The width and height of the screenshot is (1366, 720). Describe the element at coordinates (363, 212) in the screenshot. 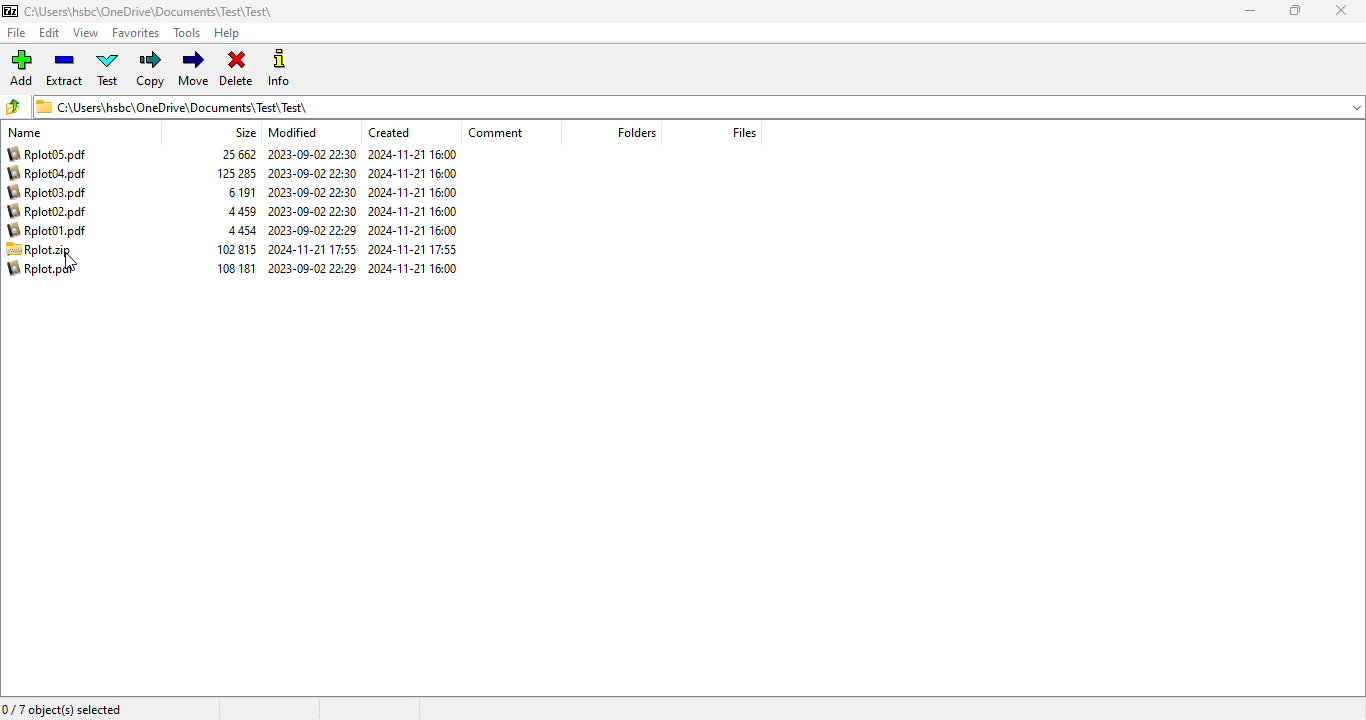

I see `2023-09-02 22:30  2024-11-21 16:00` at that location.